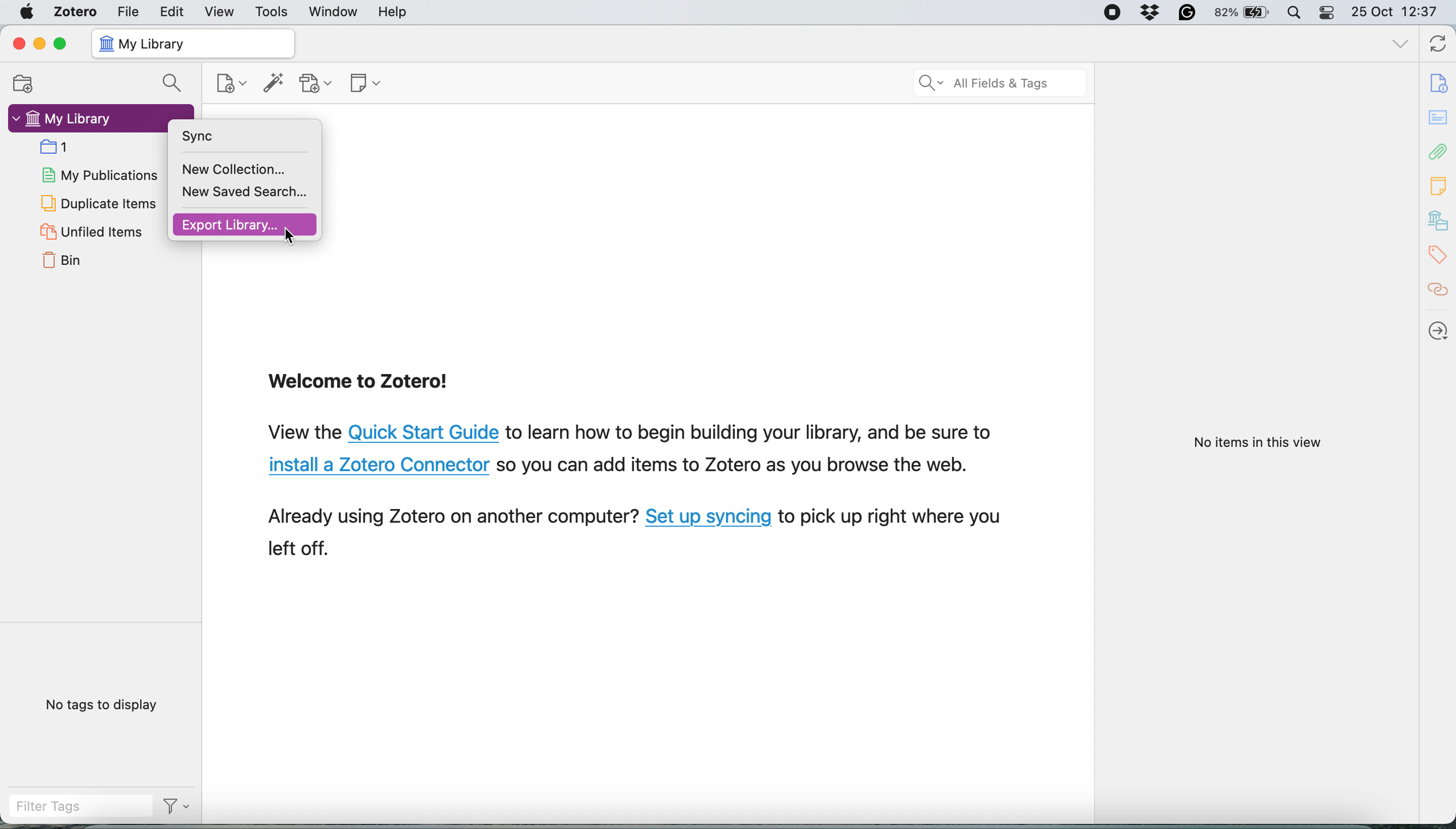  I want to click on Screen Recorder, so click(1110, 12).